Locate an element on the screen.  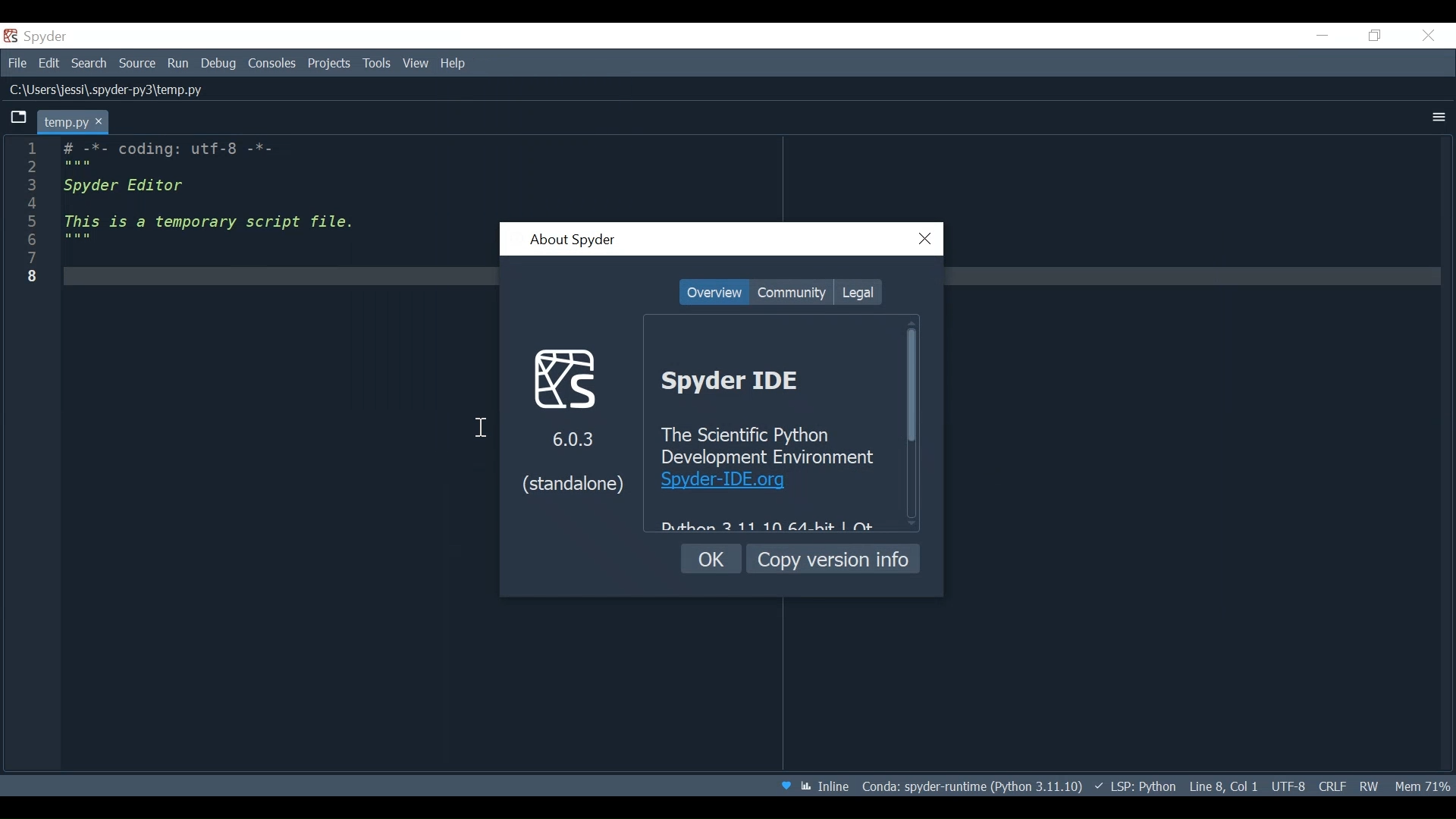
About Spyder is located at coordinates (571, 238).